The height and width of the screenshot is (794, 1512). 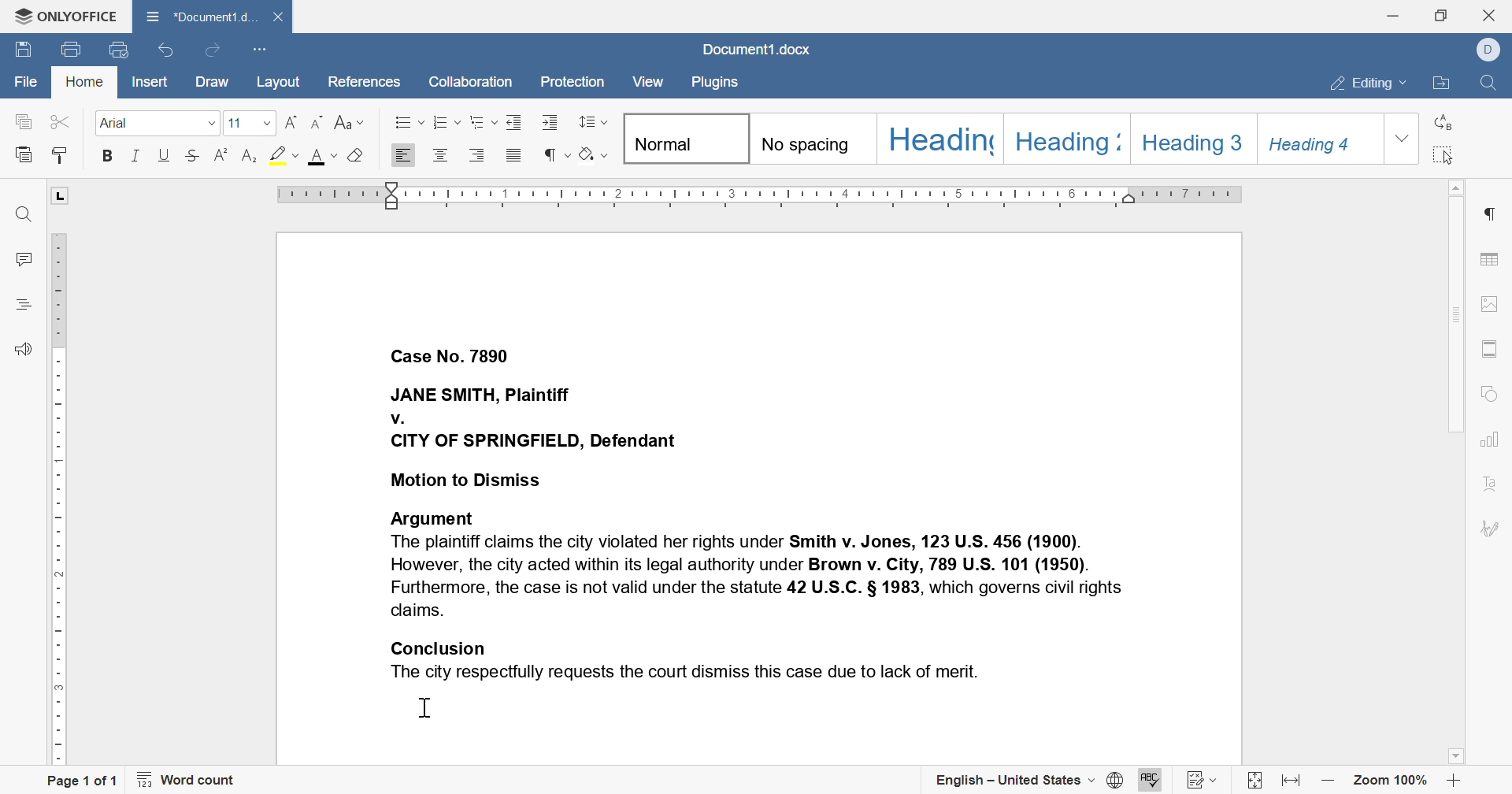 What do you see at coordinates (1488, 440) in the screenshot?
I see `chart settings` at bounding box center [1488, 440].